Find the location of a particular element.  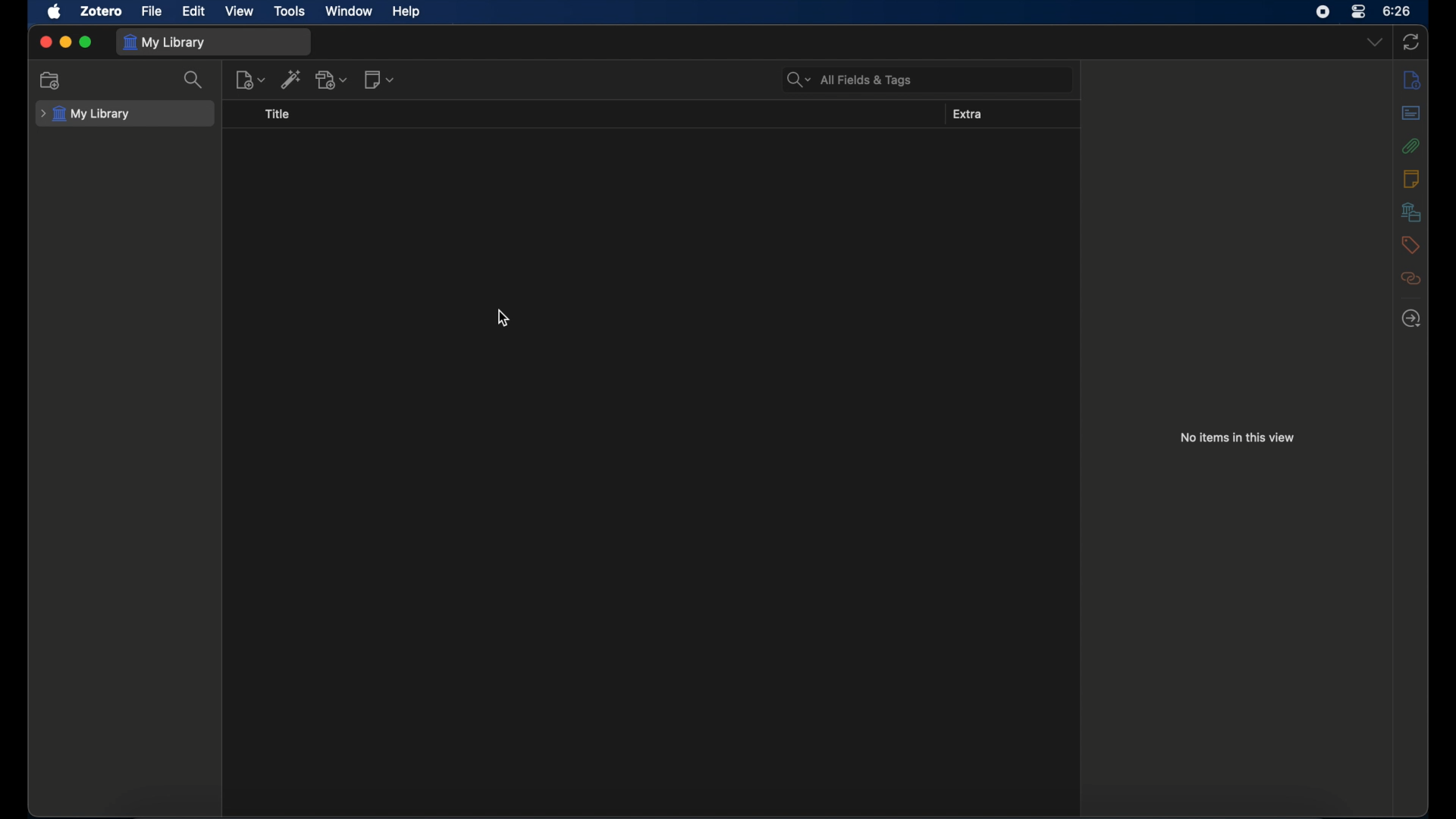

new items is located at coordinates (249, 80).